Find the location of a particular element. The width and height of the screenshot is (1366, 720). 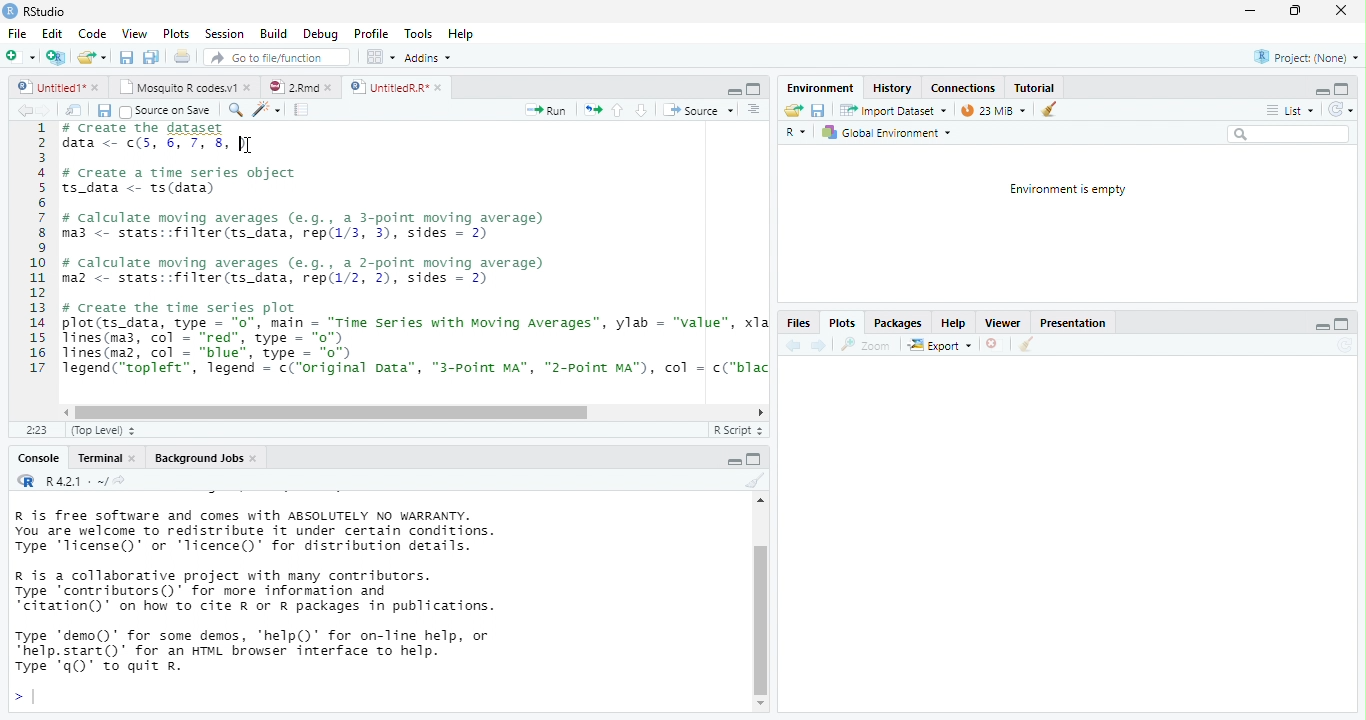

1 # Create the dataset 2 data <- c(5, 6, 7, 8, is located at coordinates (132, 135).